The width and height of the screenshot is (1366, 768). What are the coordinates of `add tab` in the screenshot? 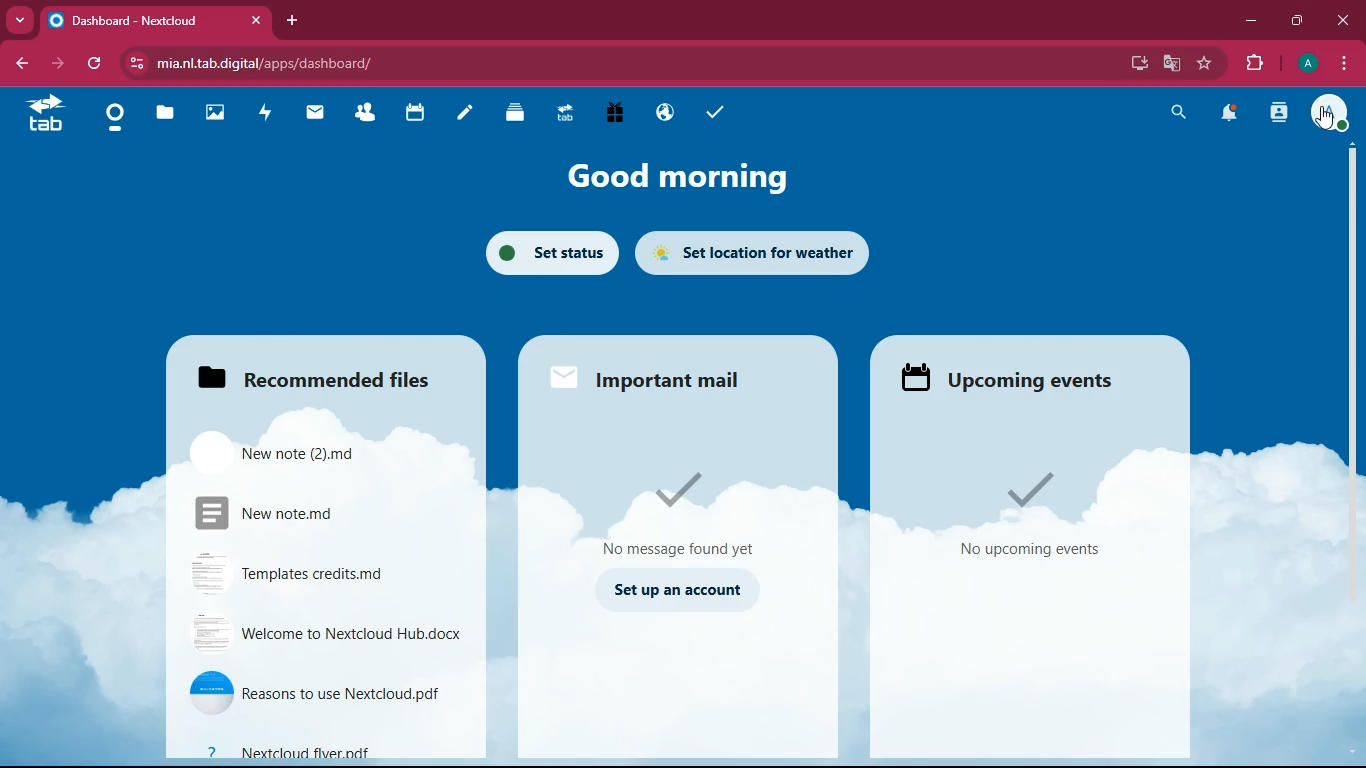 It's located at (293, 21).